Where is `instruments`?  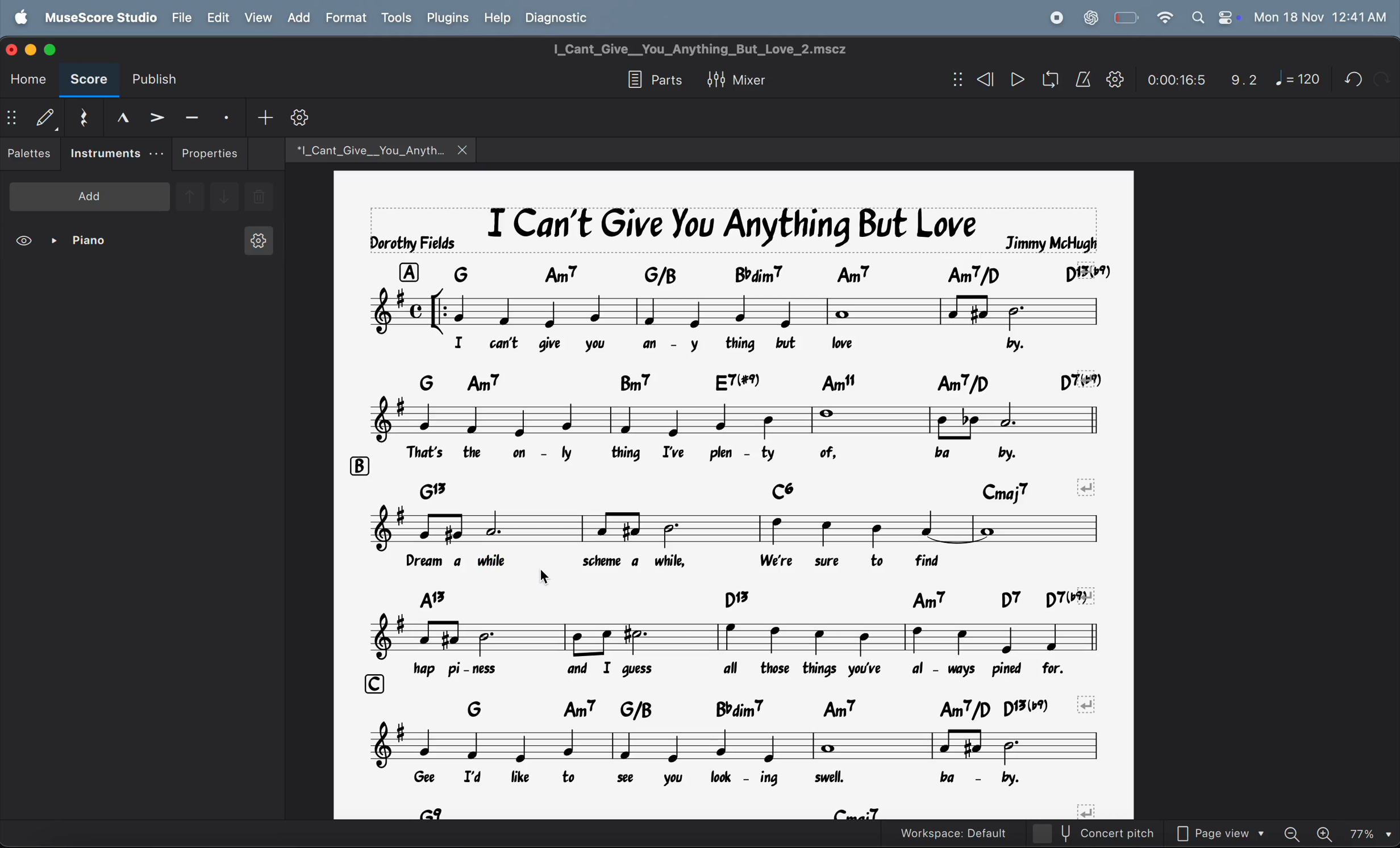
instruments is located at coordinates (113, 153).